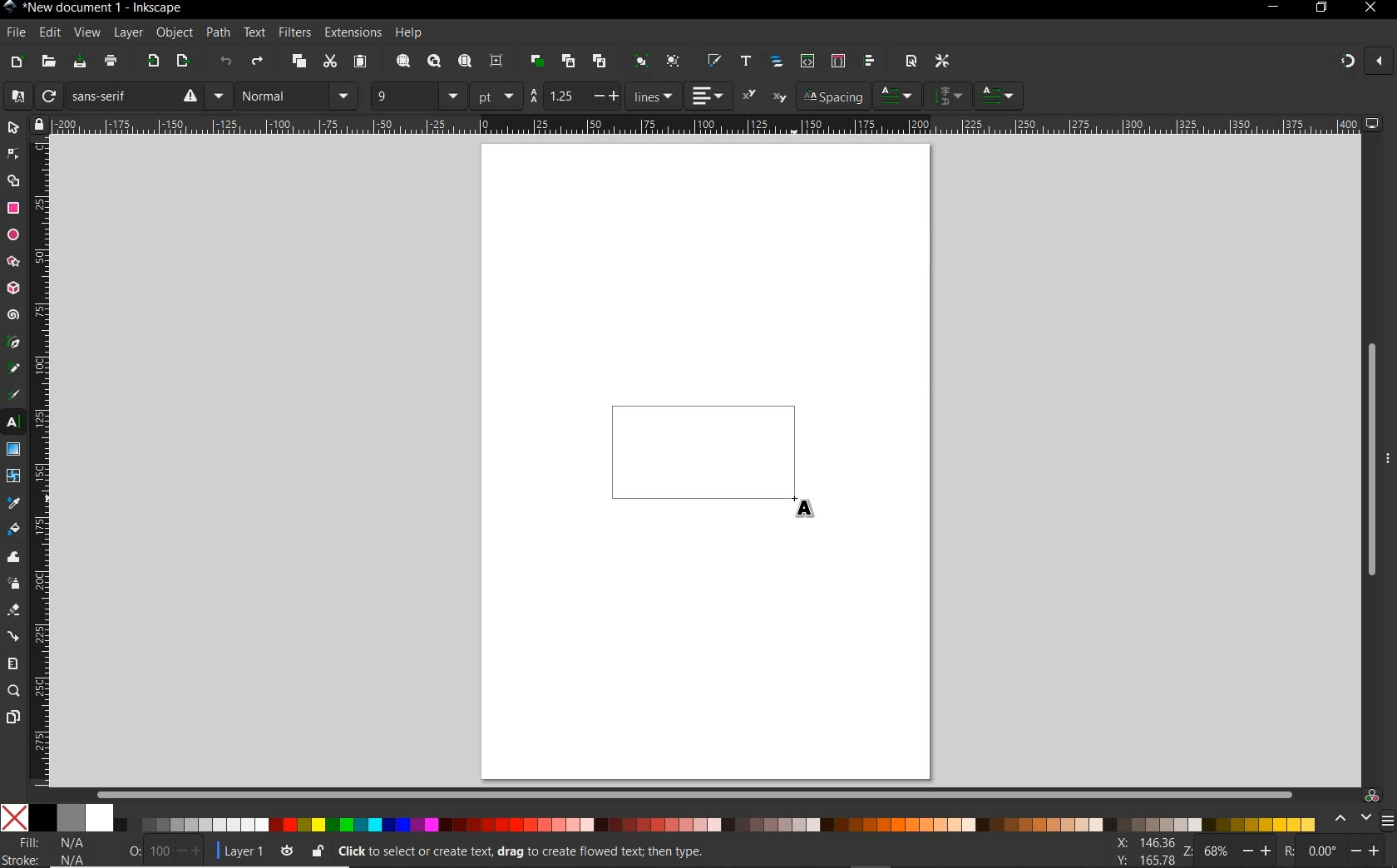 The height and width of the screenshot is (868, 1397). What do you see at coordinates (12, 369) in the screenshot?
I see `pencil tool` at bounding box center [12, 369].